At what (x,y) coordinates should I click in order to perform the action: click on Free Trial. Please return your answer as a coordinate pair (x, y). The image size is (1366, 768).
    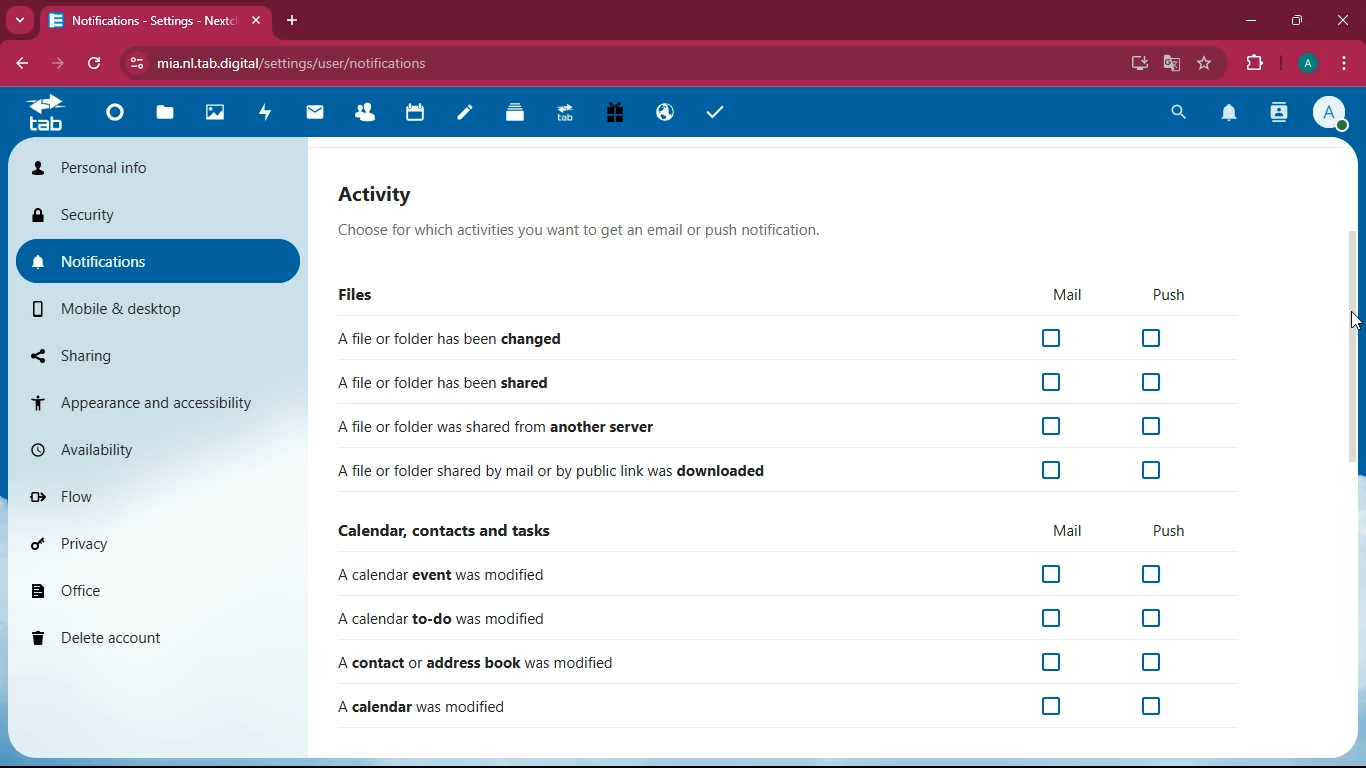
    Looking at the image, I should click on (613, 114).